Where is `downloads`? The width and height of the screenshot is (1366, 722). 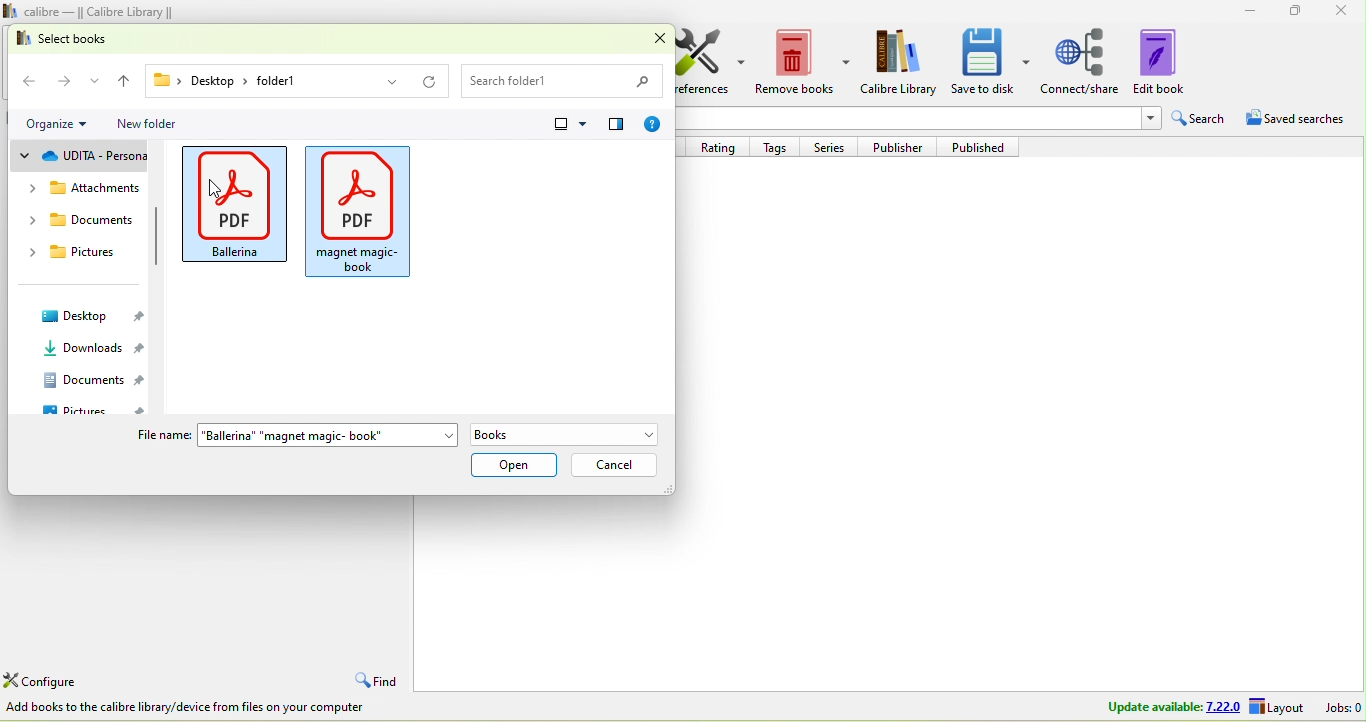 downloads is located at coordinates (84, 349).